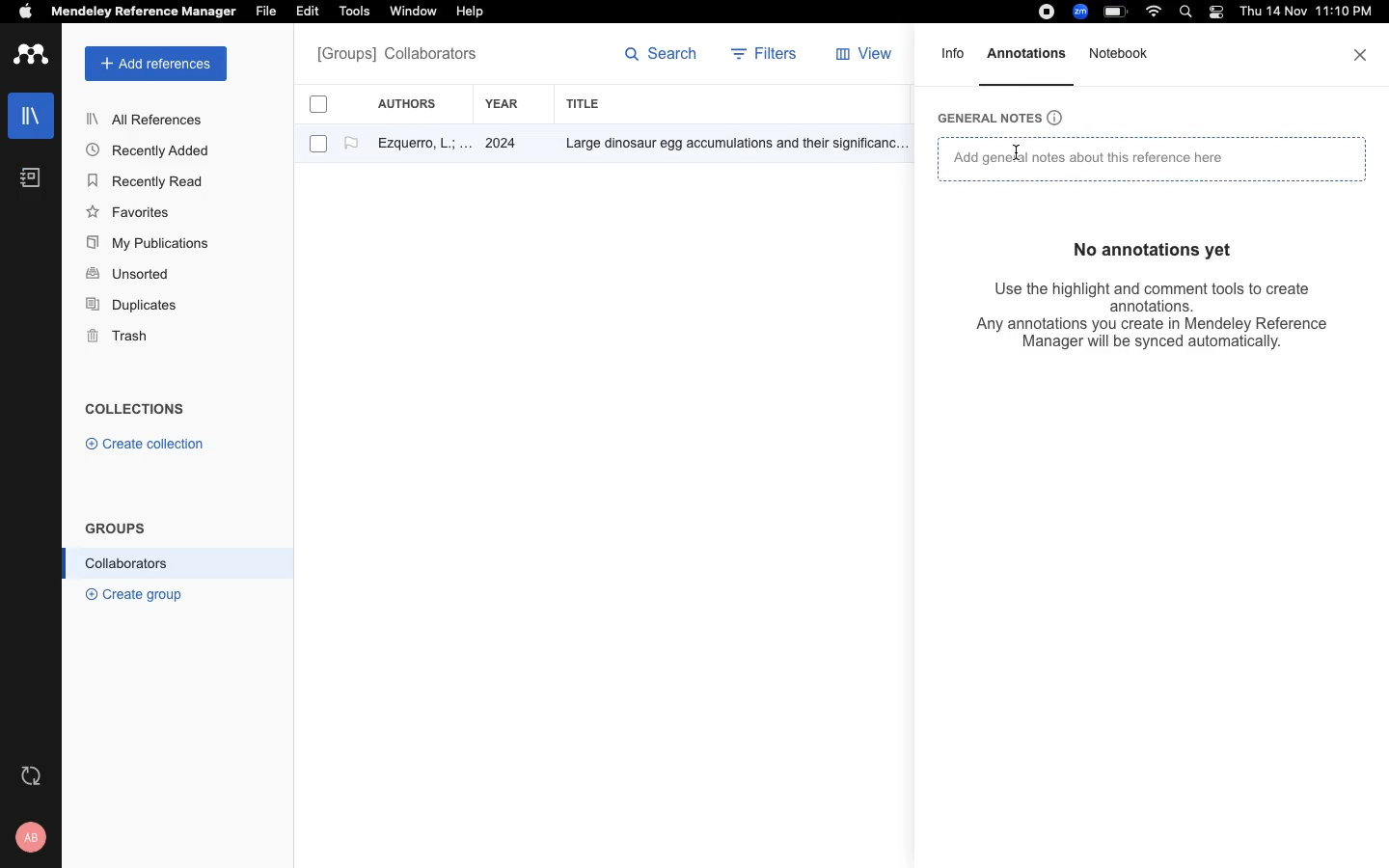 This screenshot has width=1389, height=868. Describe the element at coordinates (1134, 317) in the screenshot. I see `Use the highlight and comment tools to create
annotations.
Any annotations you create in Mendeley Reference
Manager will be synced automatically.` at that location.